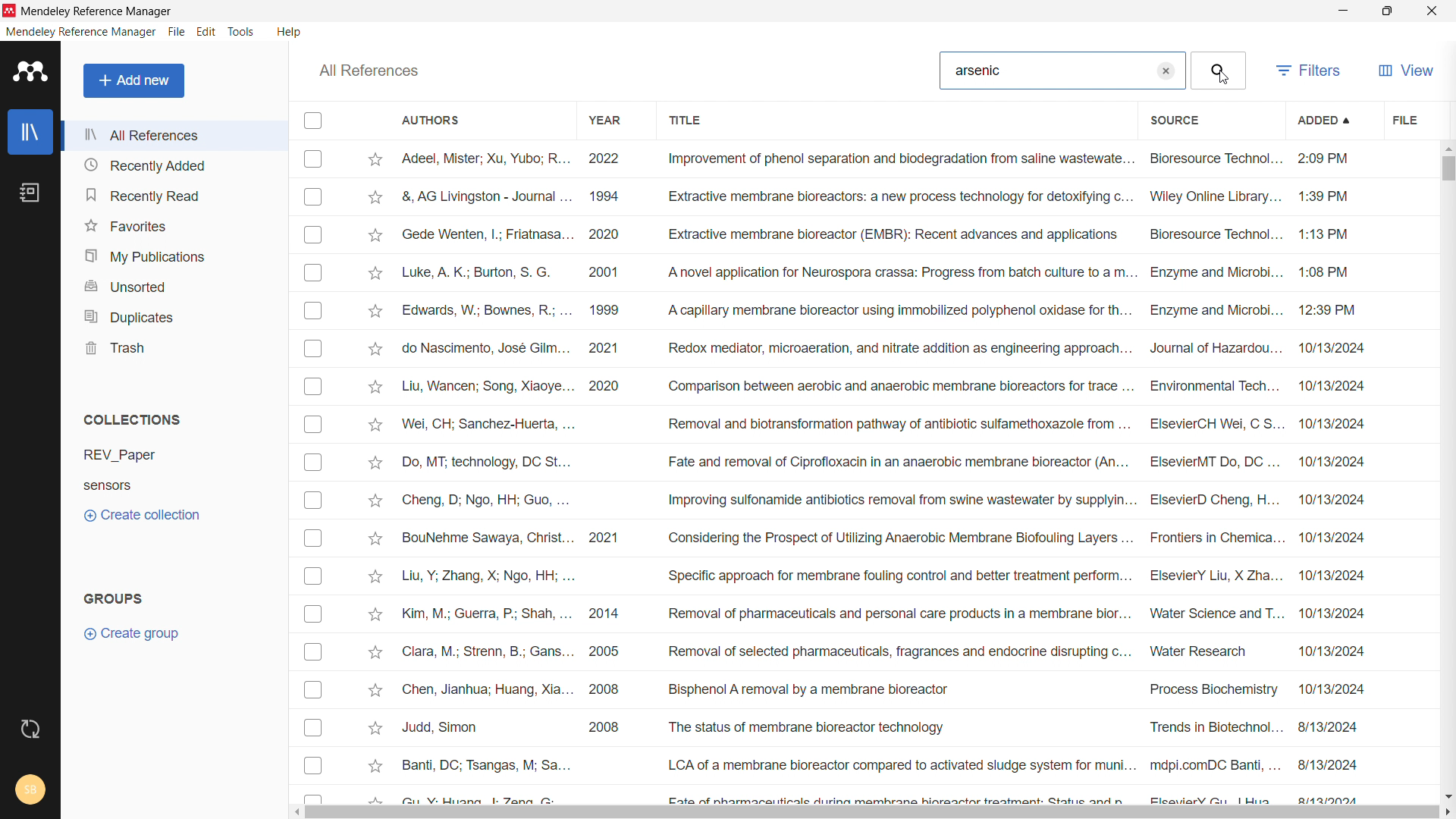  What do you see at coordinates (373, 309) in the screenshot?
I see `Add to favorites` at bounding box center [373, 309].